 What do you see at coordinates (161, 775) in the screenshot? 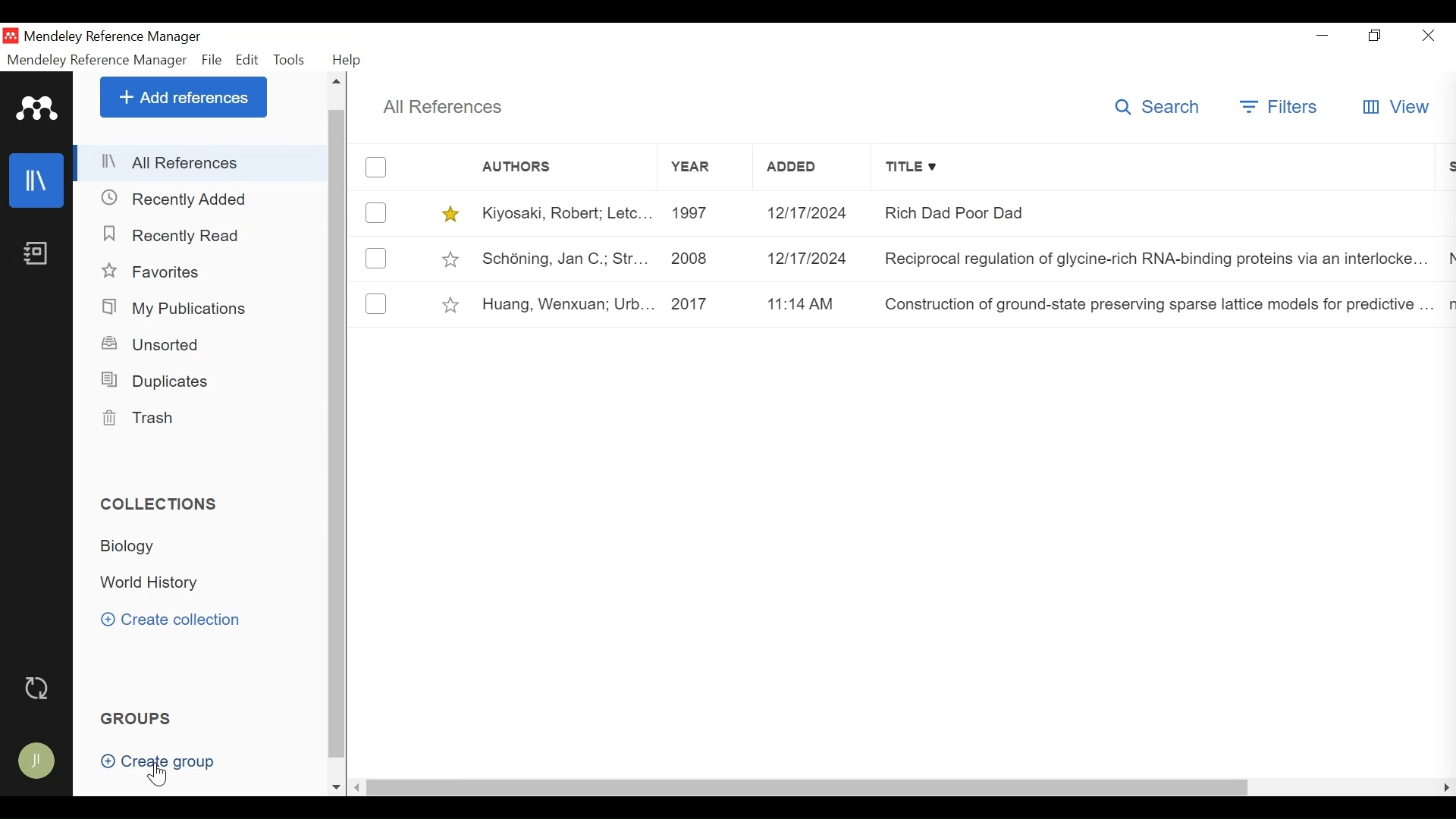
I see `Cursor` at bounding box center [161, 775].